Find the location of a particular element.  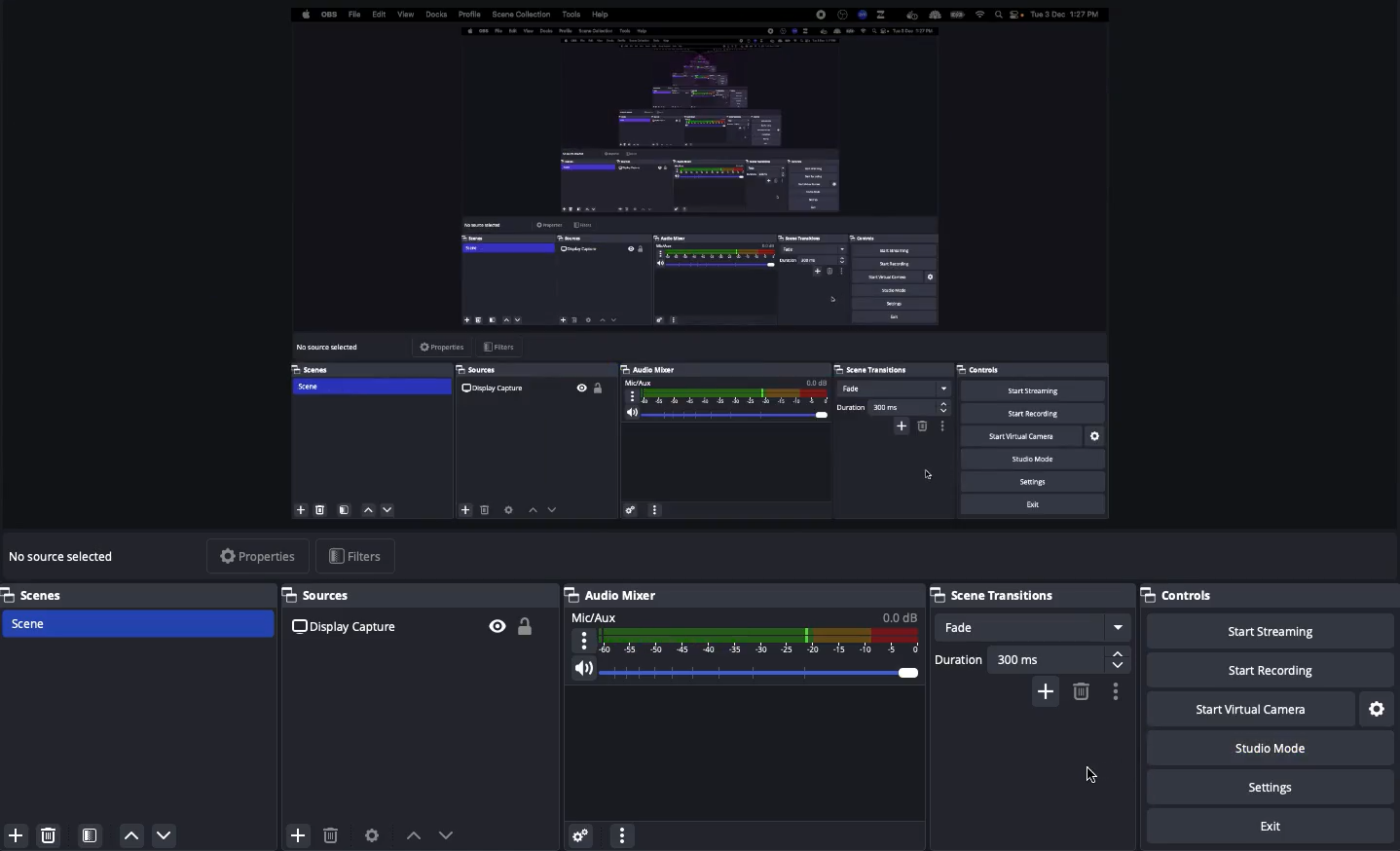

Scene transitions is located at coordinates (1028, 595).